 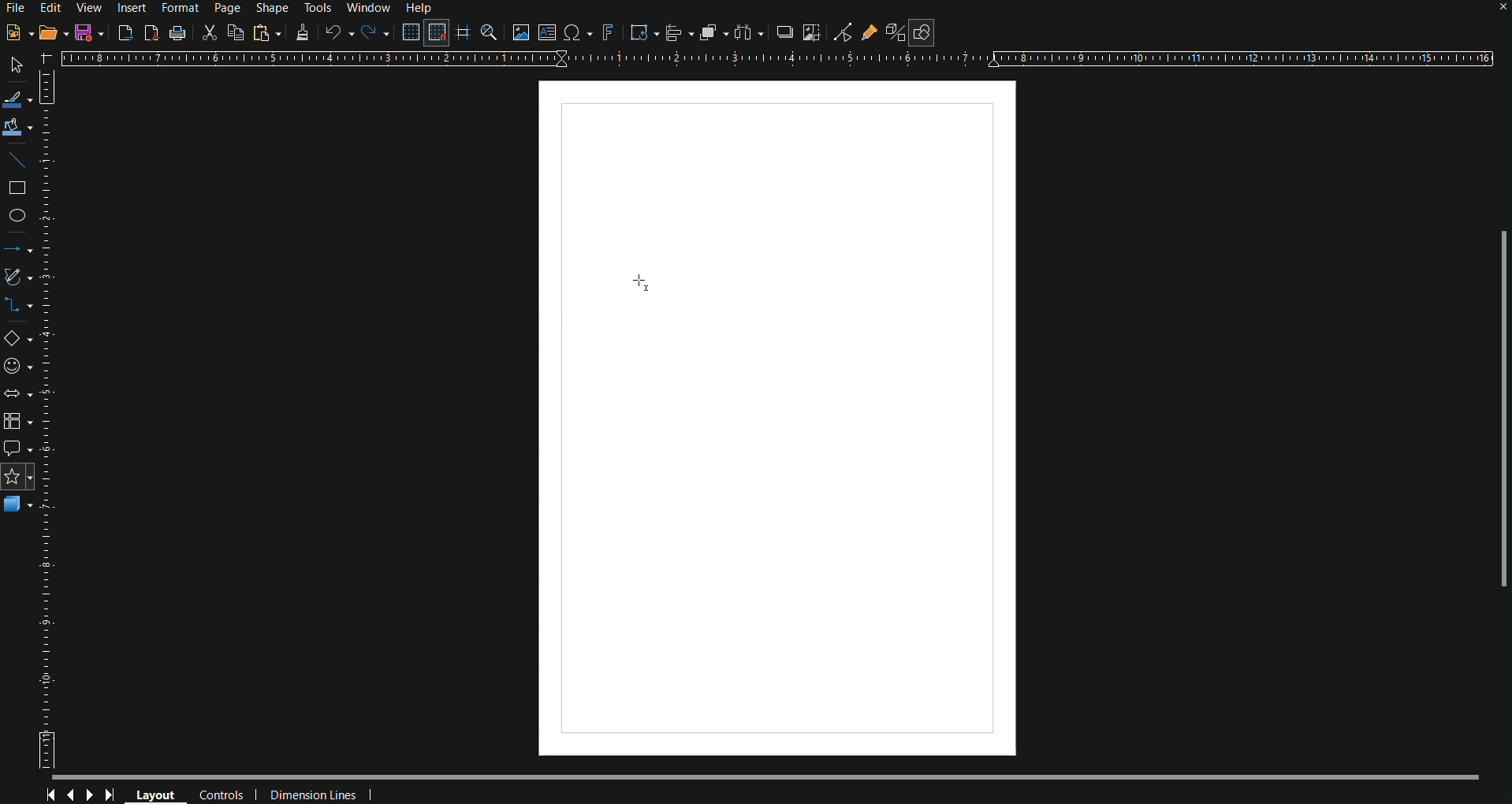 What do you see at coordinates (521, 35) in the screenshot?
I see `Insert Image` at bounding box center [521, 35].